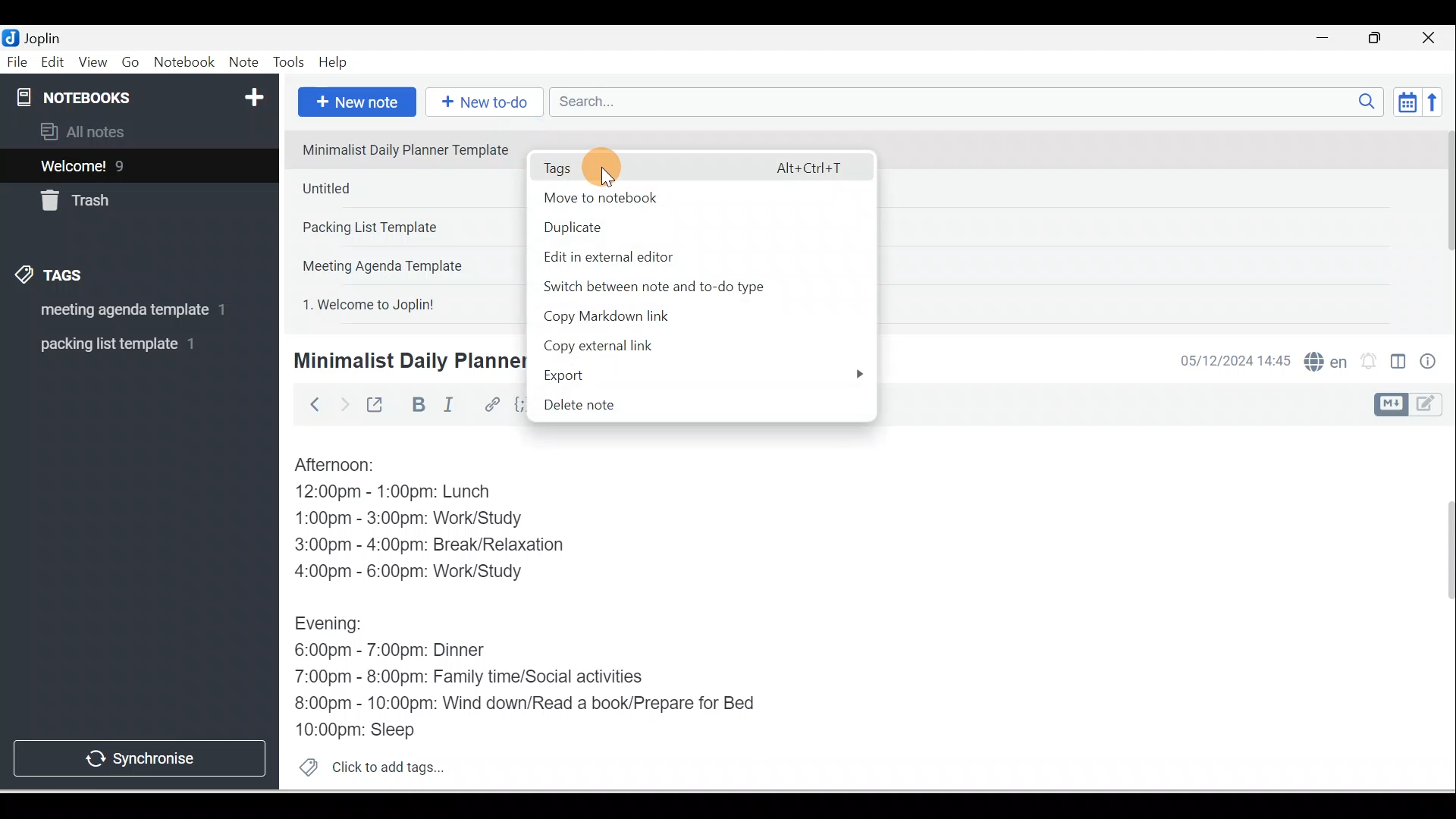 The width and height of the screenshot is (1456, 819). I want to click on 10:00pm: Sleep, so click(363, 729).